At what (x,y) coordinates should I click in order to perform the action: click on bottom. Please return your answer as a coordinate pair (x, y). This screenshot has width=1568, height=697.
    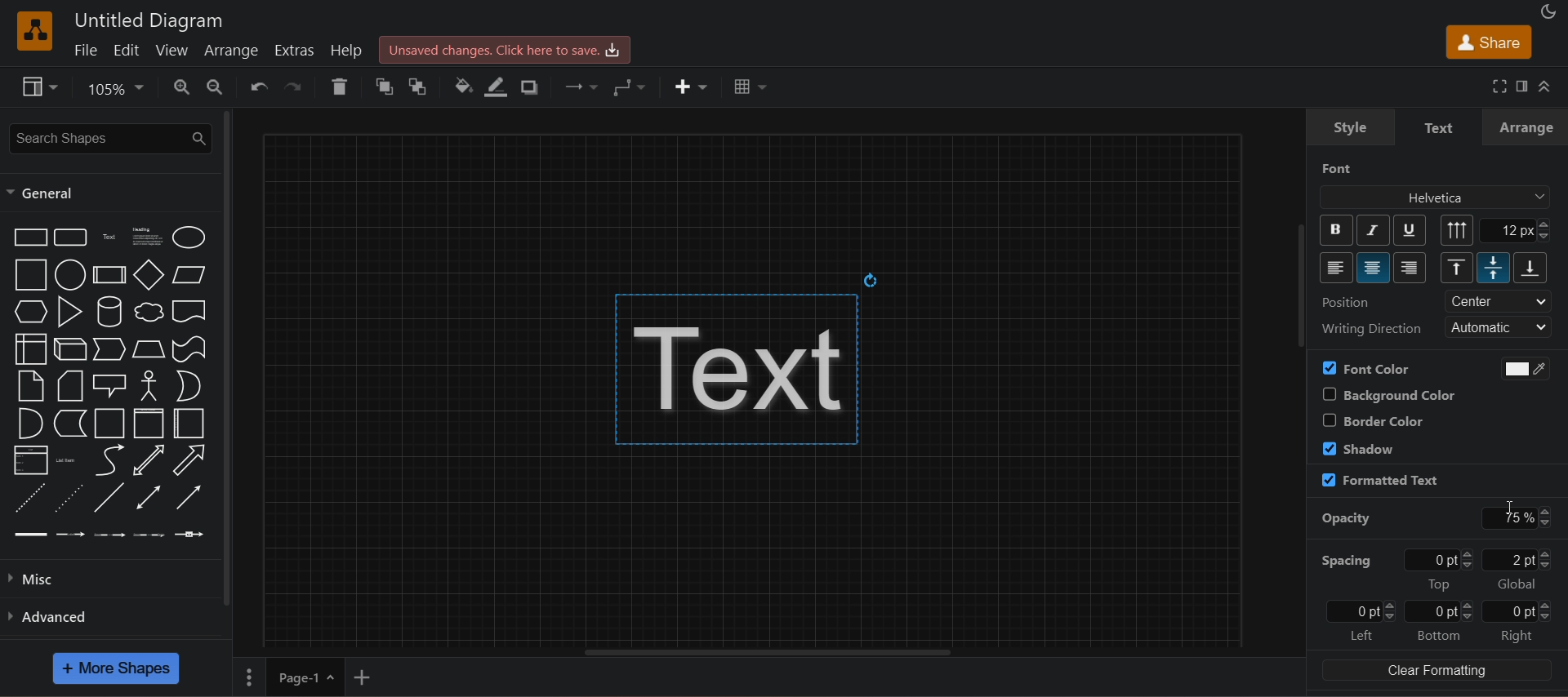
    Looking at the image, I should click on (1531, 268).